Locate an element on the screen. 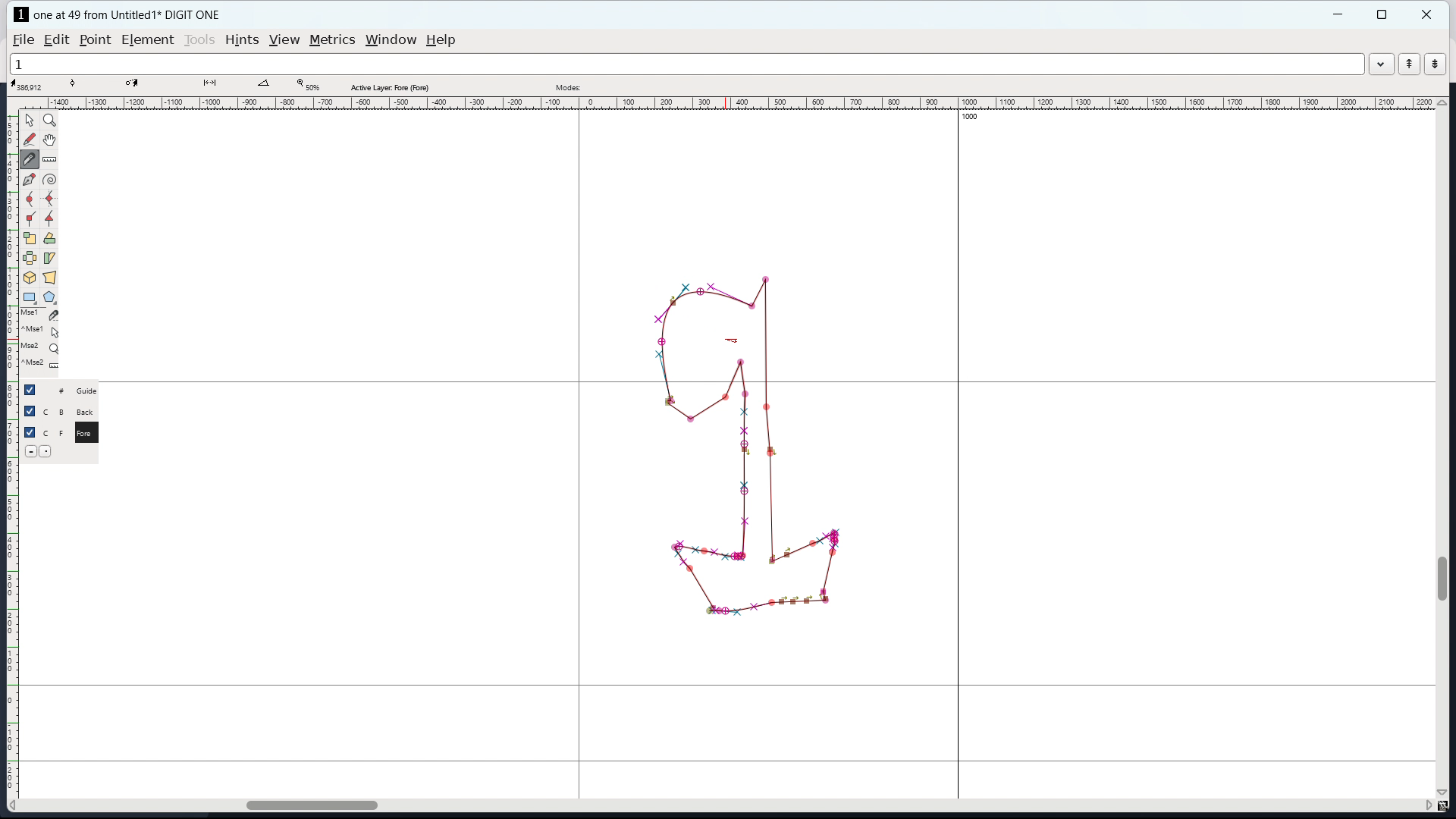 Image resolution: width=1456 pixels, height=819 pixels. 1000 is located at coordinates (973, 118).